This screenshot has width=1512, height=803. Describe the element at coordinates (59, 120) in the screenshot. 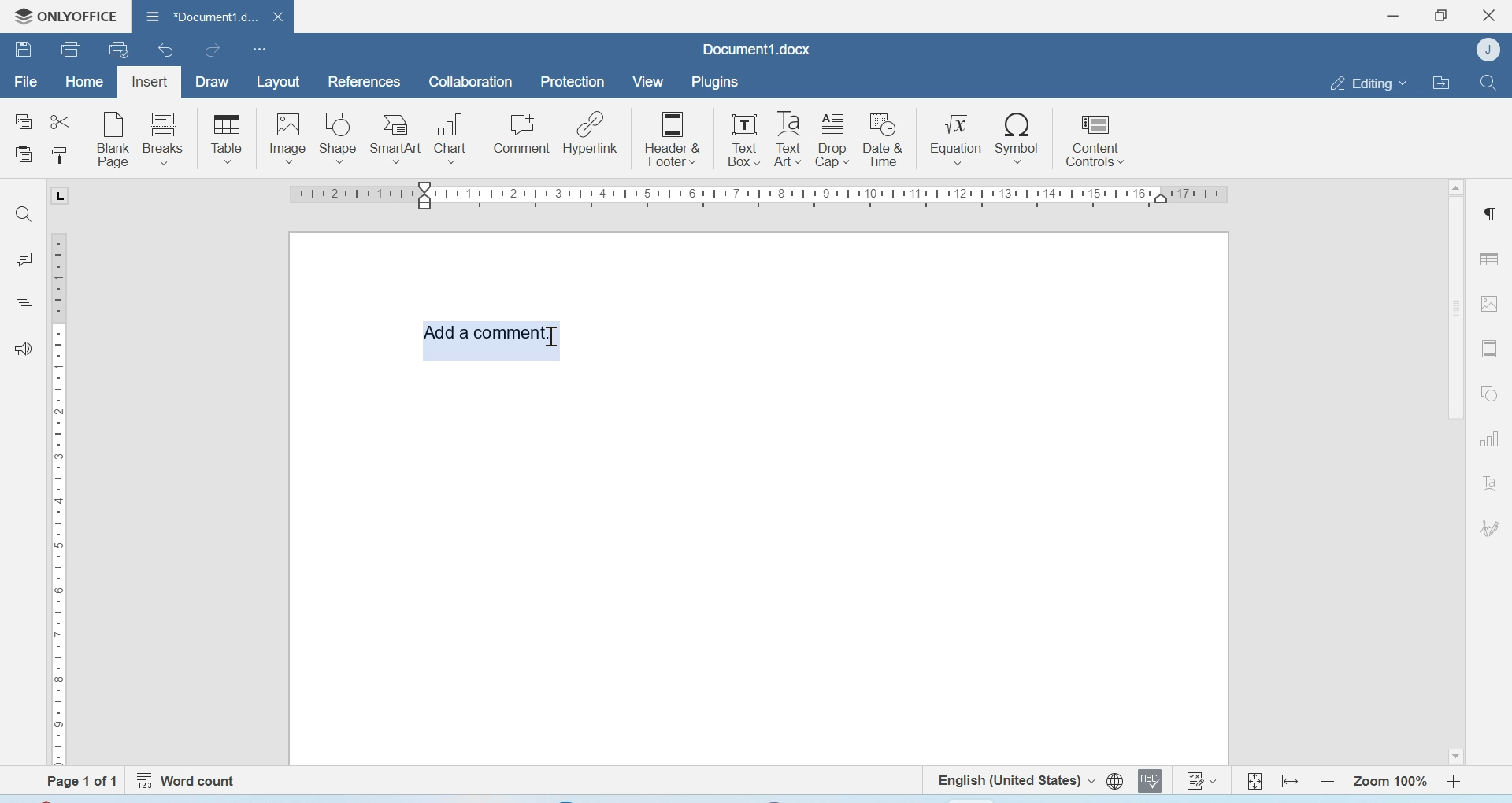

I see `Cut` at that location.